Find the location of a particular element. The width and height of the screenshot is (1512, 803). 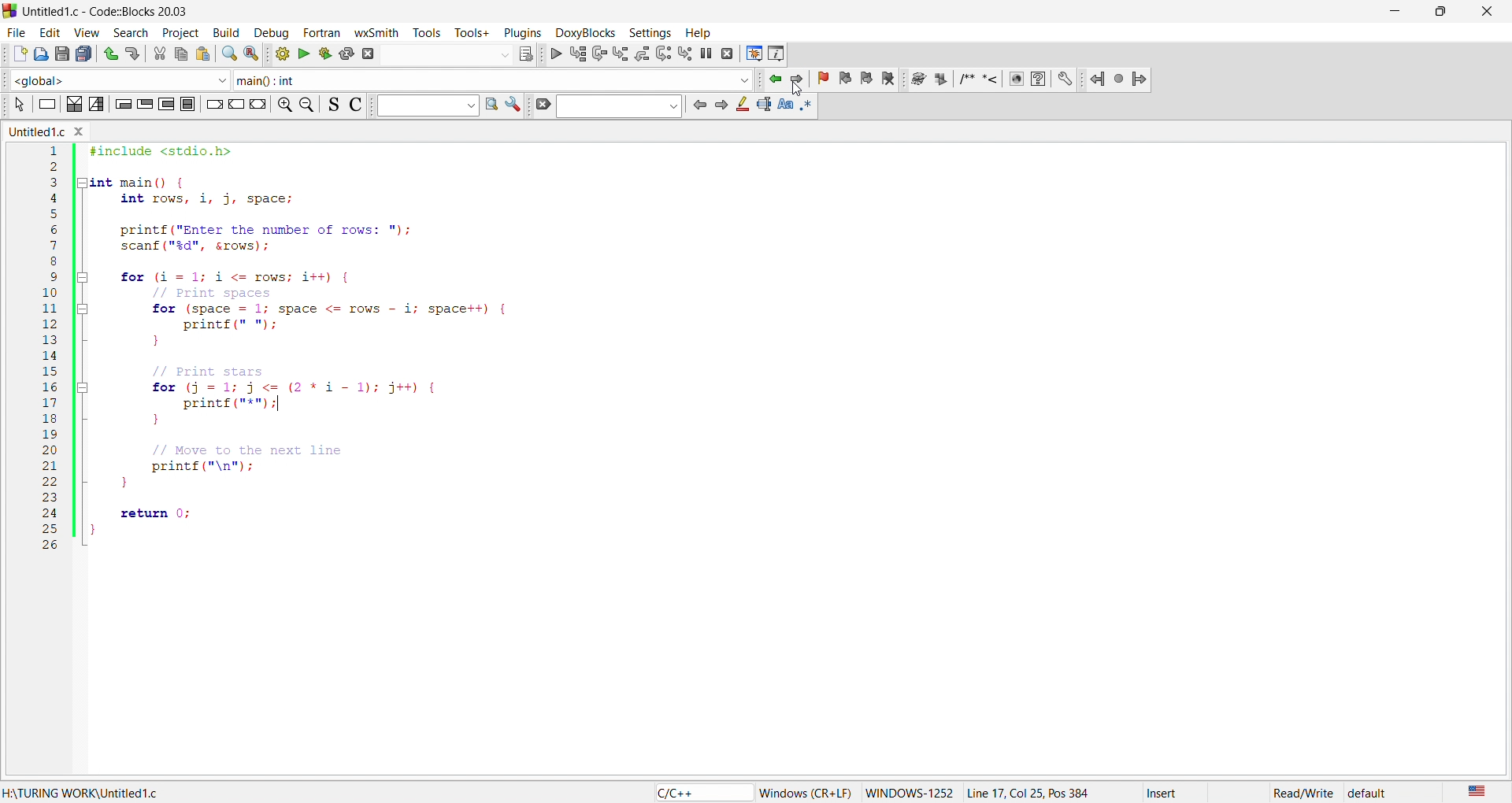

cut is located at coordinates (157, 54).